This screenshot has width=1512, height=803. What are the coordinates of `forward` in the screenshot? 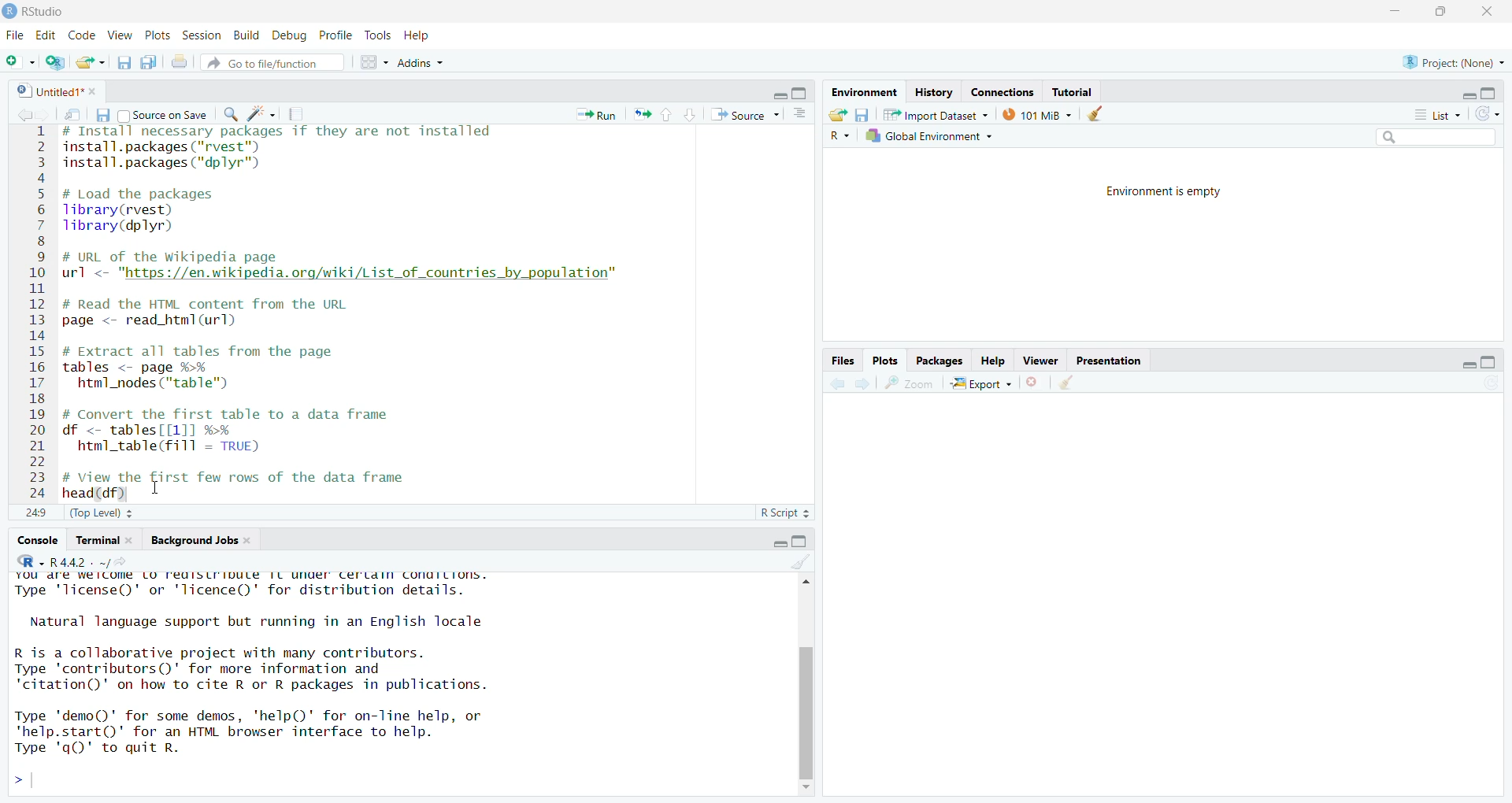 It's located at (47, 115).